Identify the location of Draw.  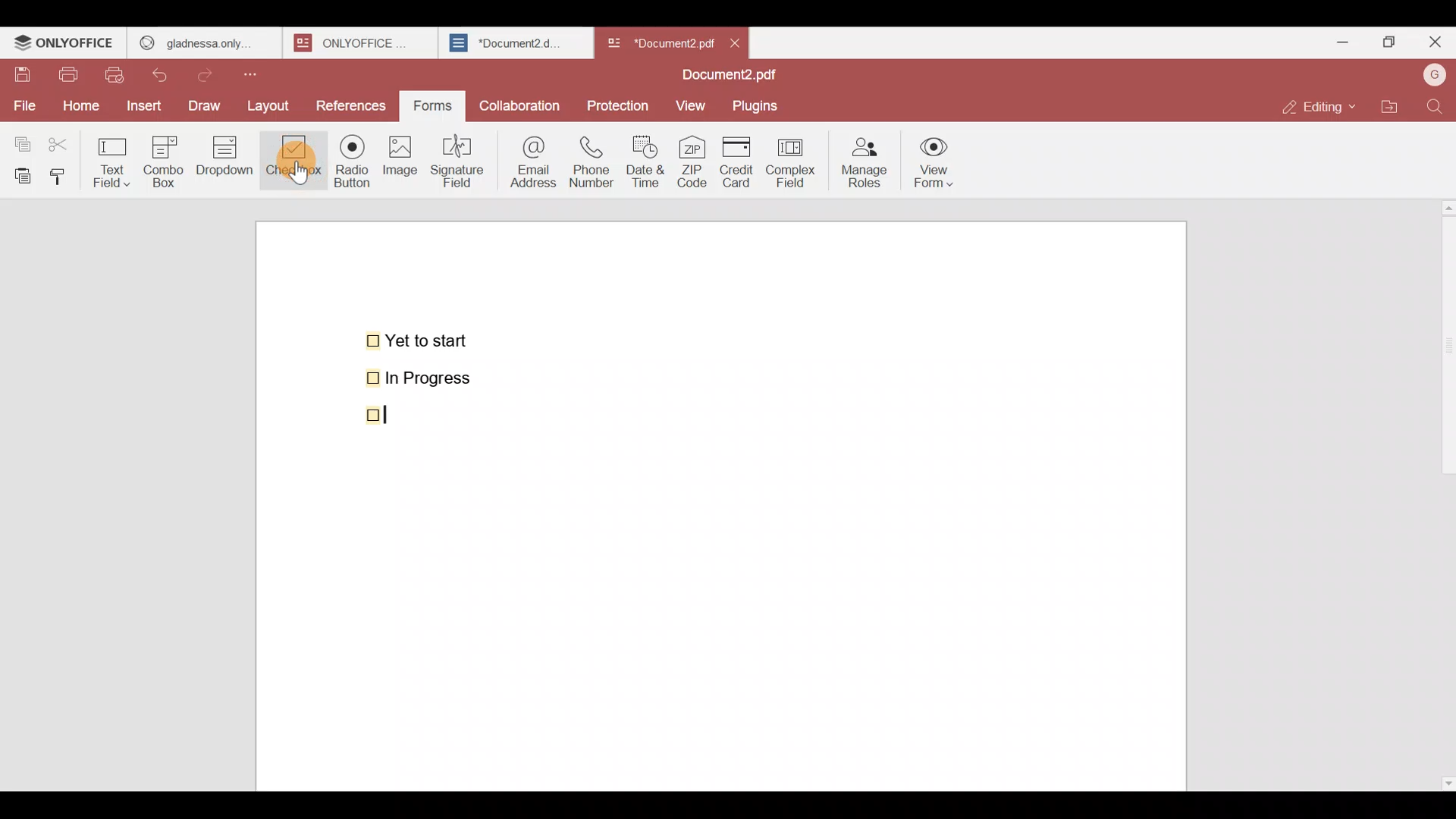
(209, 104).